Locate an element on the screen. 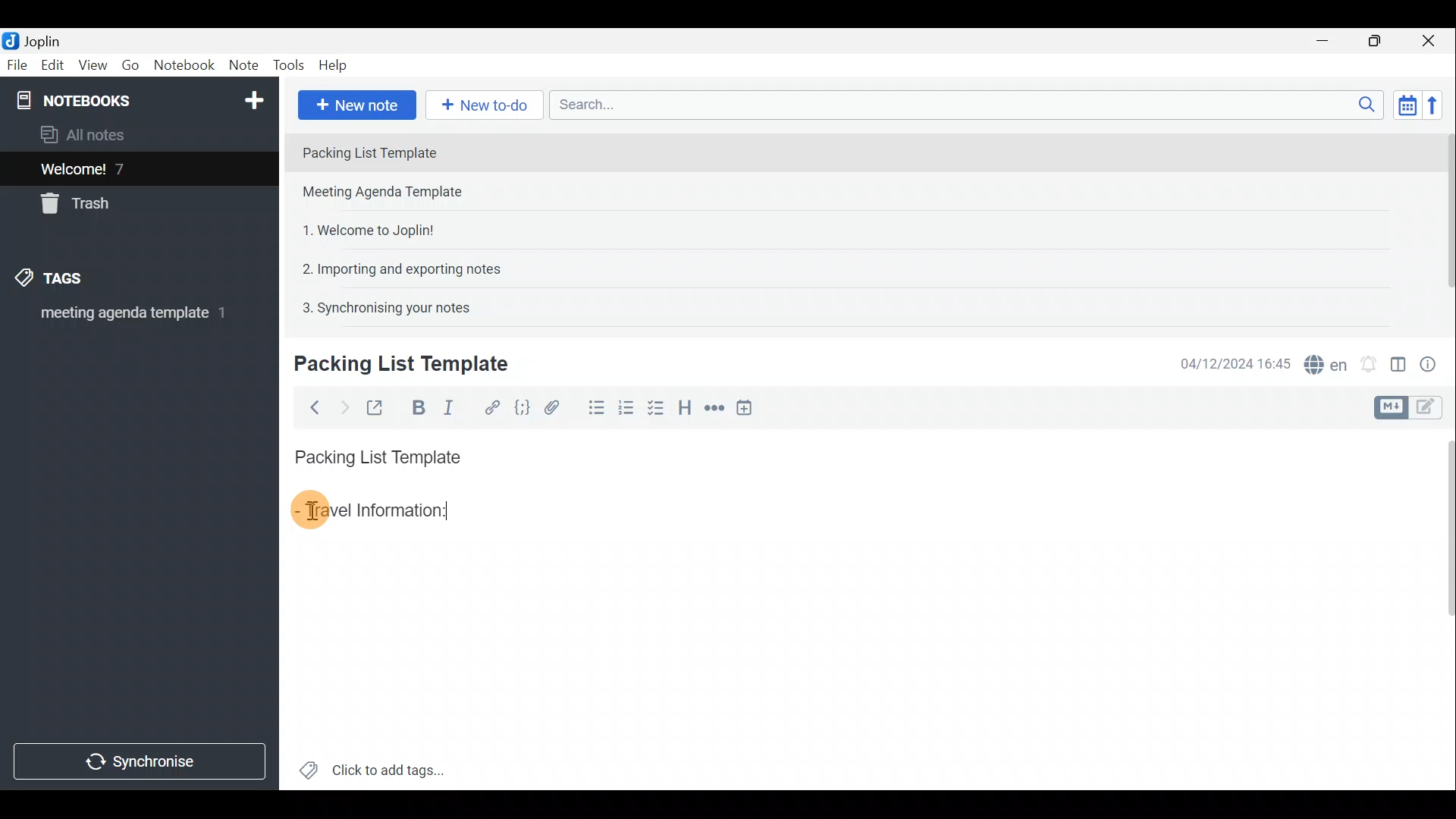  Note 2 is located at coordinates (397, 193).